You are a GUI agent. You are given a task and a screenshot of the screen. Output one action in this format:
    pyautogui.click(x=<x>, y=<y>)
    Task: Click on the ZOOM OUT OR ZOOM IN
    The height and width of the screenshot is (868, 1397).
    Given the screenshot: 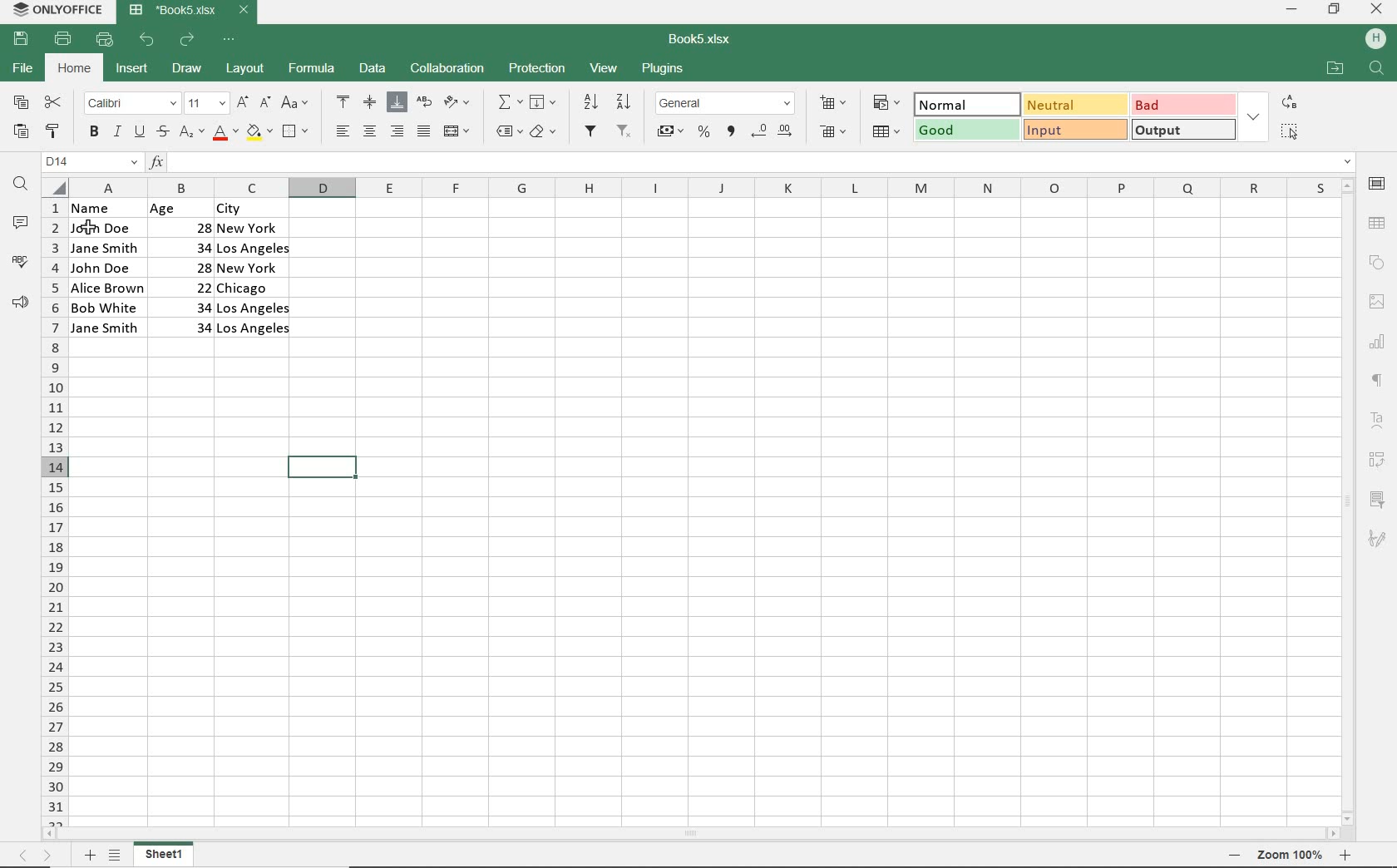 What is the action you would take?
    pyautogui.click(x=1298, y=856)
    